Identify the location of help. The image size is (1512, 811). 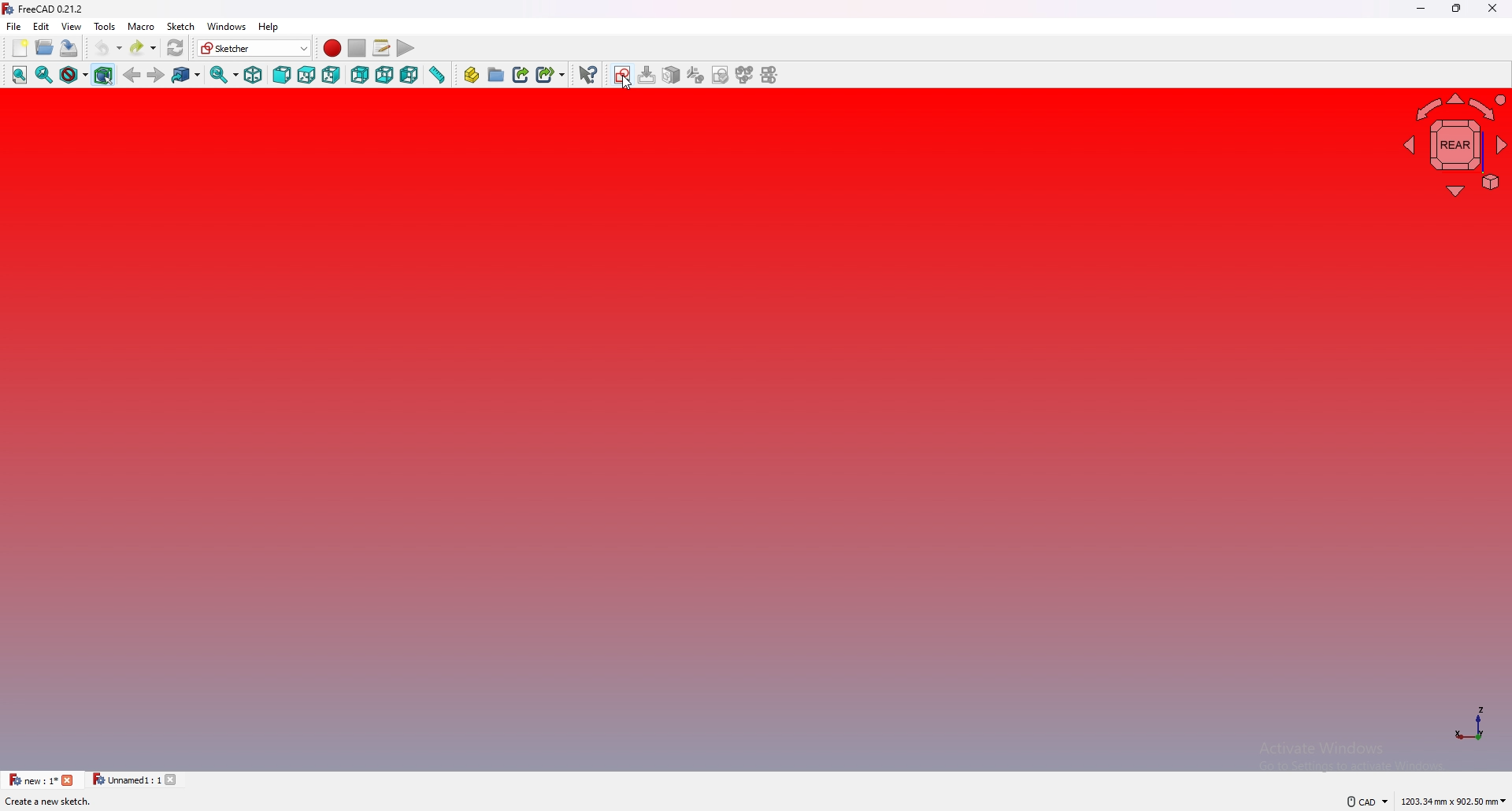
(269, 27).